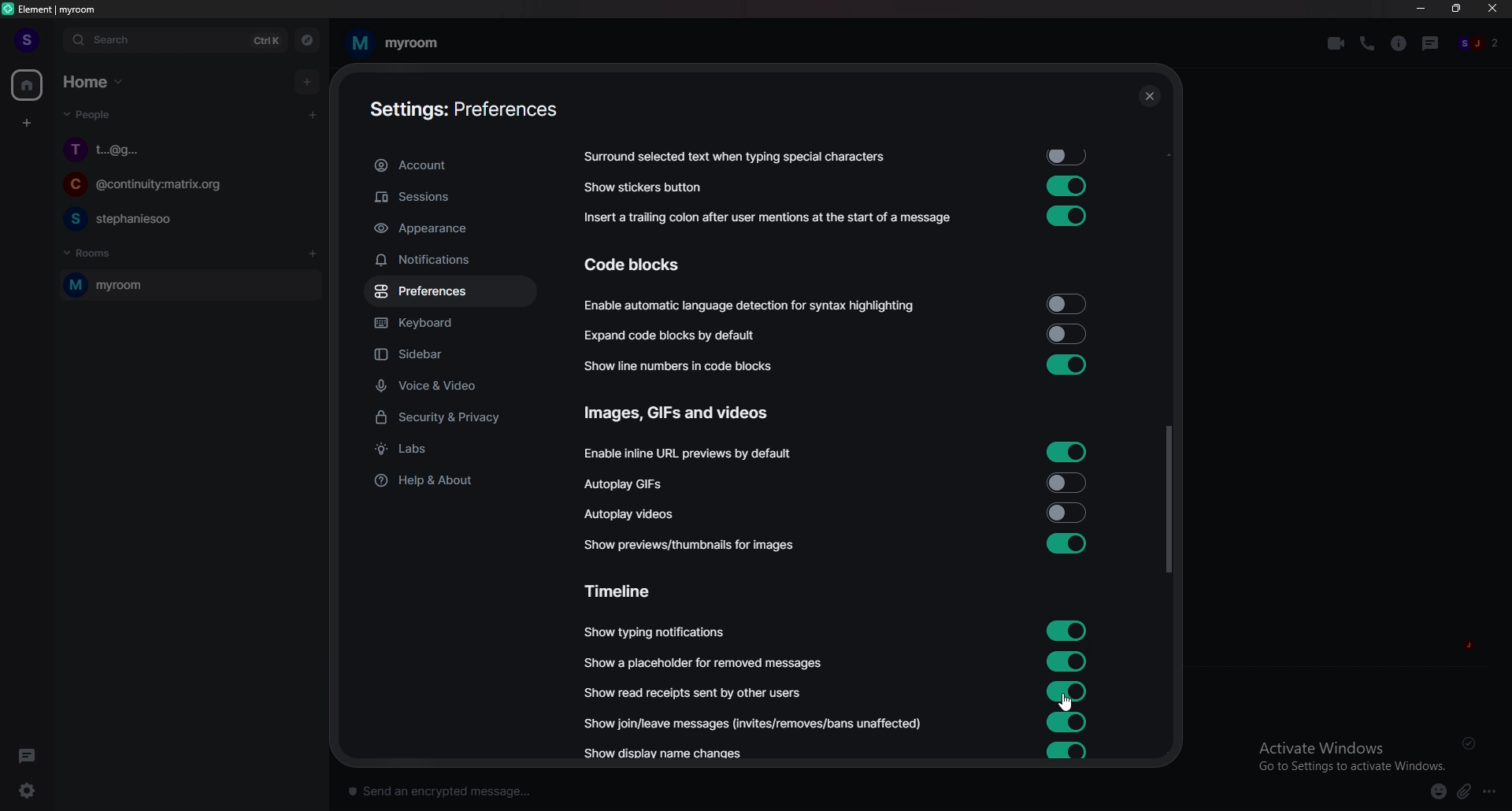 The width and height of the screenshot is (1512, 811). I want to click on text box, so click(570, 787).